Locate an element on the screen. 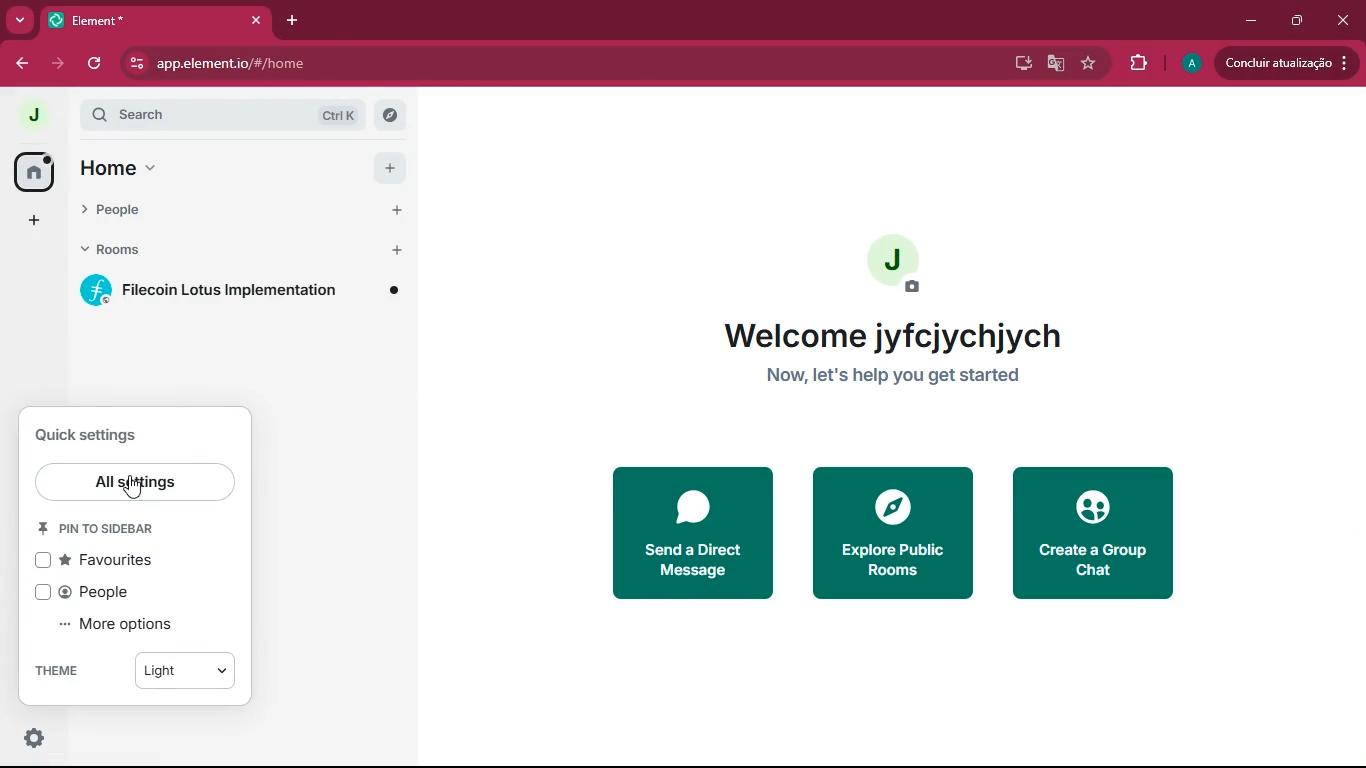  send is located at coordinates (691, 532).